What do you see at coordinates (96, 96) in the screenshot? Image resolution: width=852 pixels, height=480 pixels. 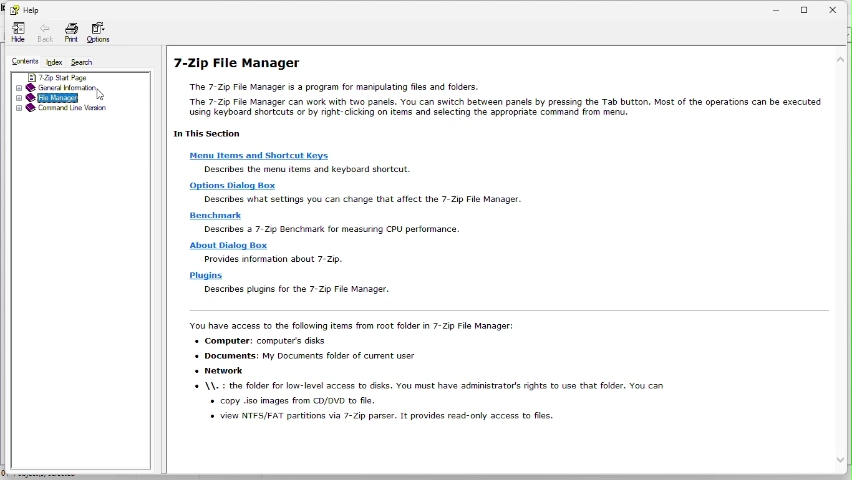 I see `cursor` at bounding box center [96, 96].